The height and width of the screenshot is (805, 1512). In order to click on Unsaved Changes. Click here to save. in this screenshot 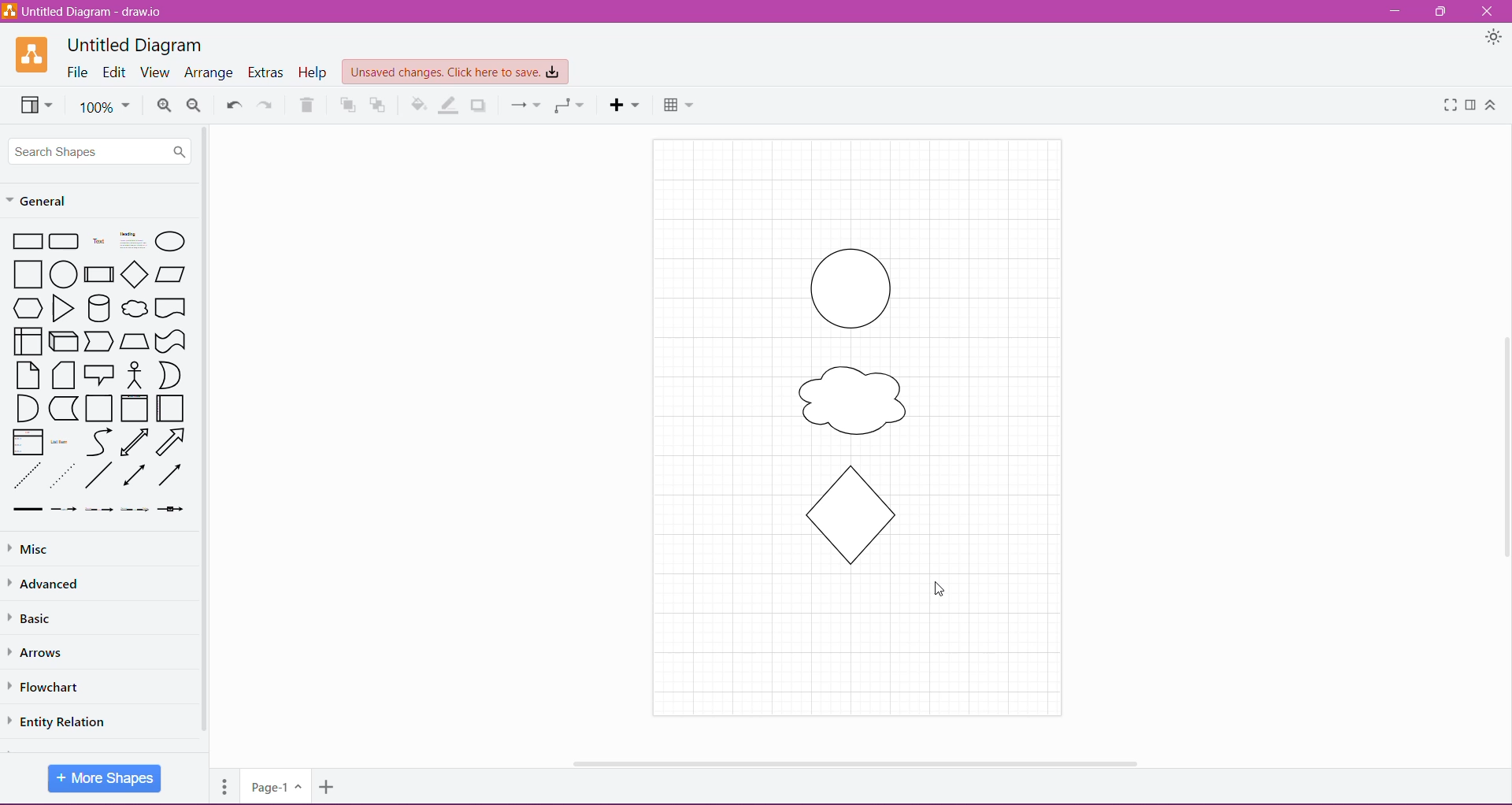, I will do `click(456, 72)`.